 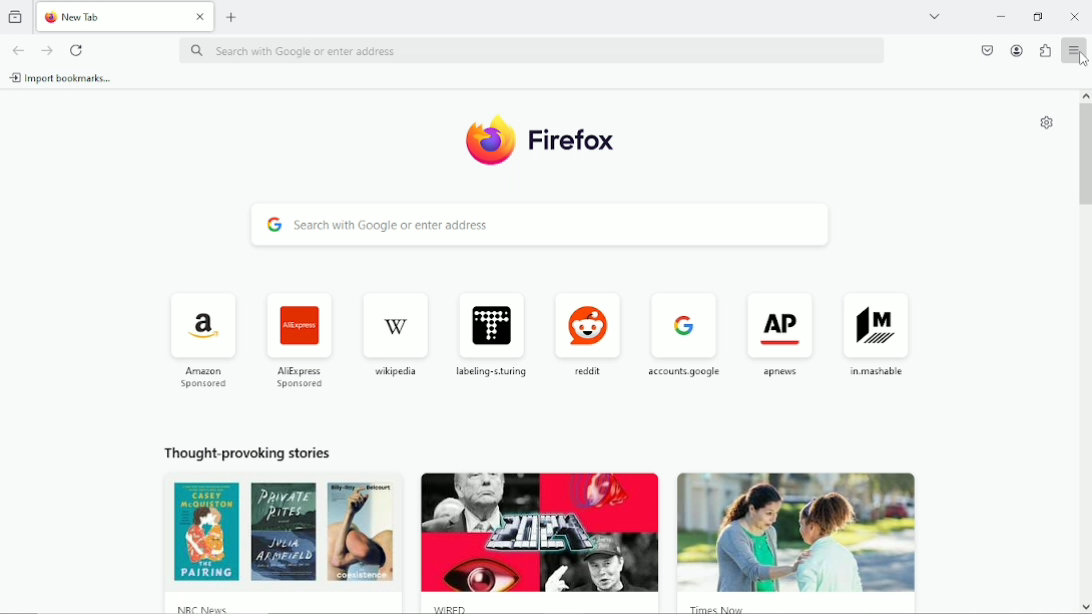 What do you see at coordinates (257, 451) in the screenshot?
I see `Thought provoking stories` at bounding box center [257, 451].